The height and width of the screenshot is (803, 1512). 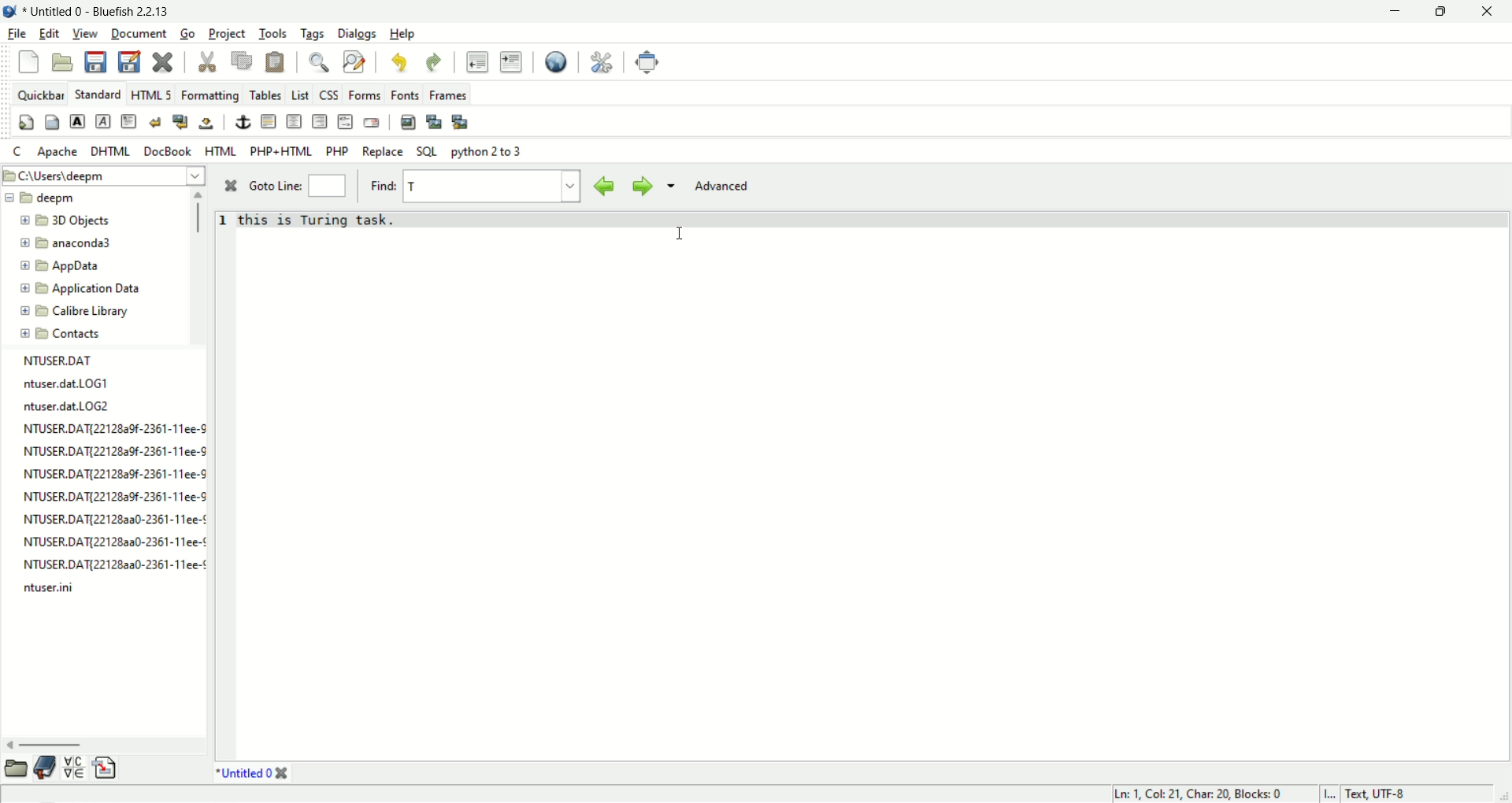 I want to click on snippets, so click(x=106, y=771).